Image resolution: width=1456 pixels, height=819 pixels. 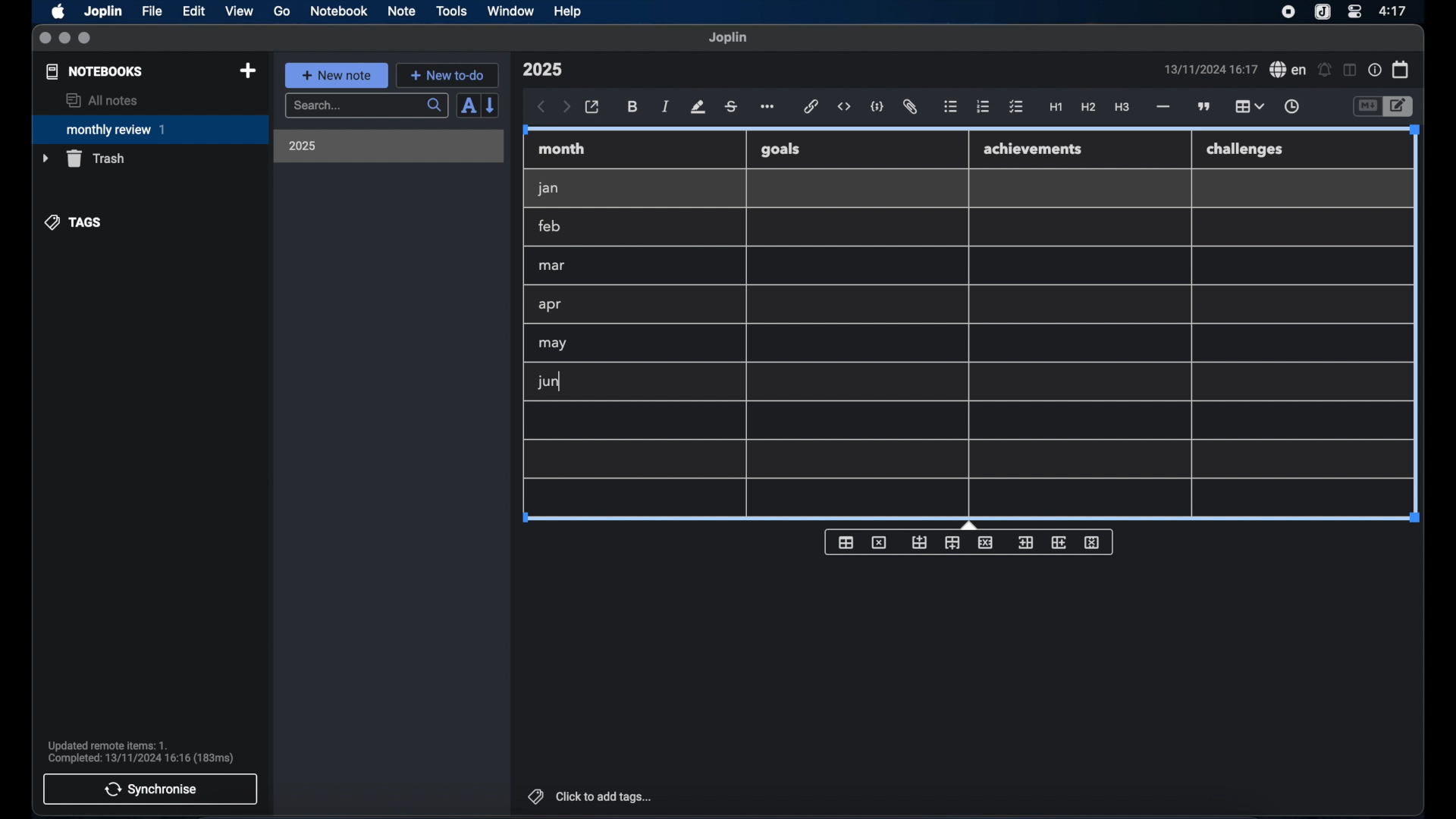 I want to click on toggle editor layout, so click(x=1351, y=70).